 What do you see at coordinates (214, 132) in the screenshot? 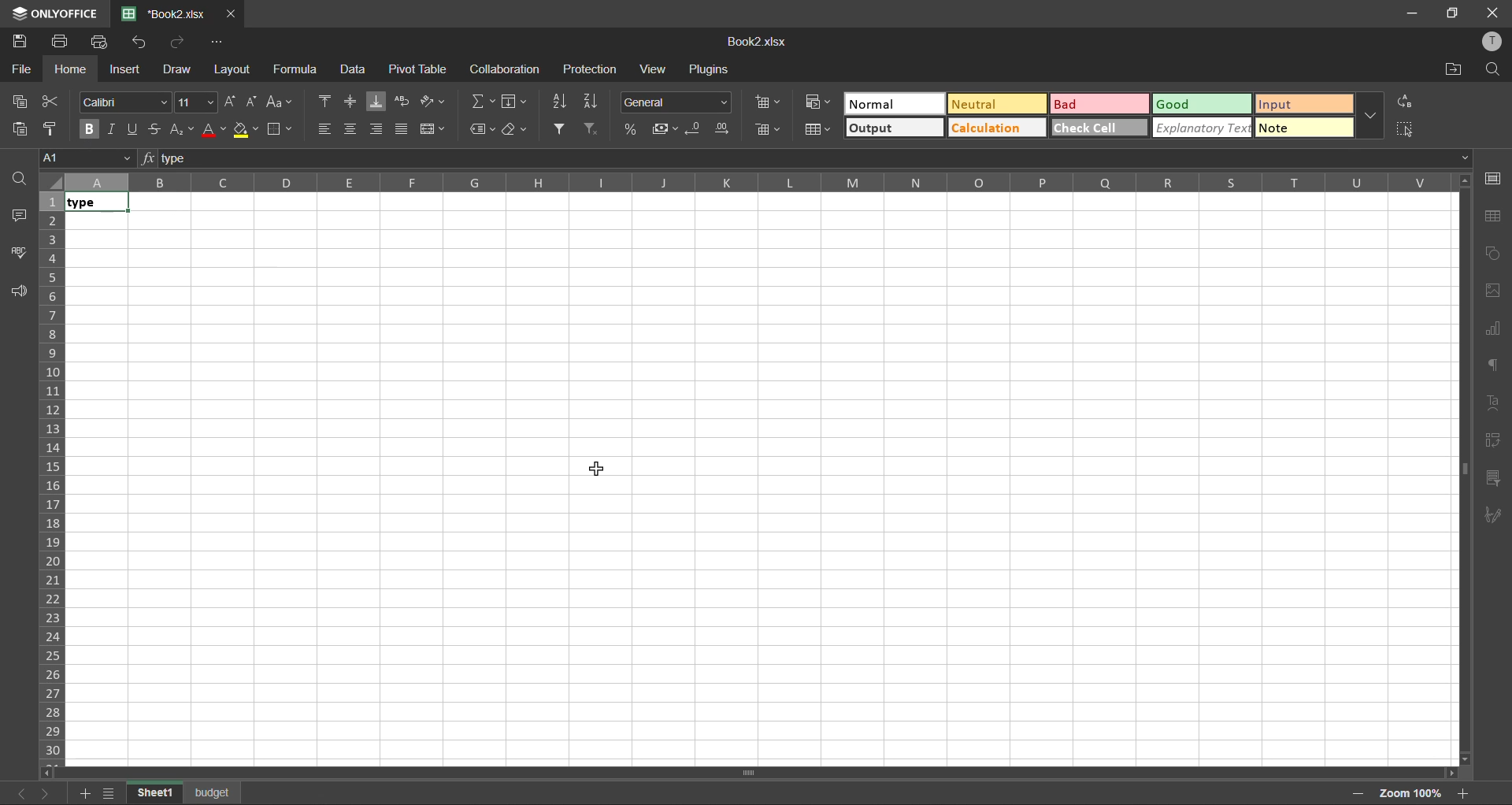
I see `font color` at bounding box center [214, 132].